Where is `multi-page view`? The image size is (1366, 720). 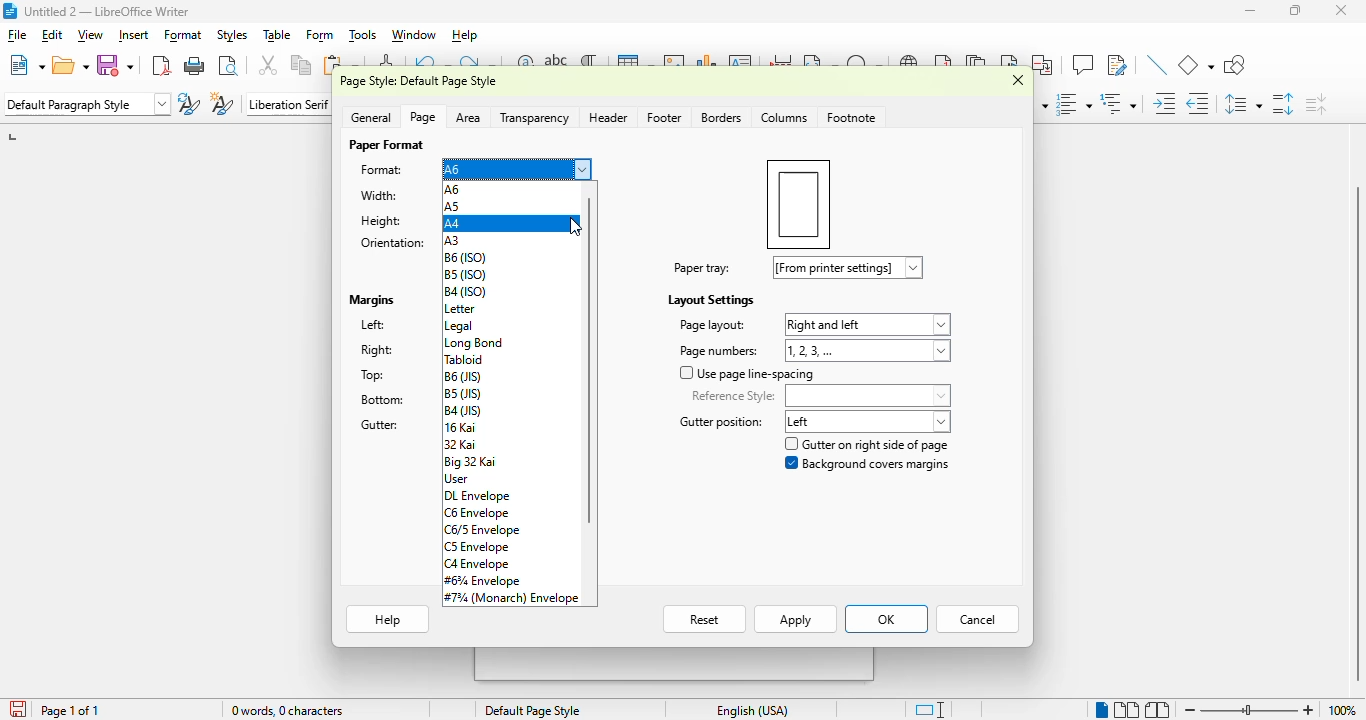 multi-page view is located at coordinates (1126, 710).